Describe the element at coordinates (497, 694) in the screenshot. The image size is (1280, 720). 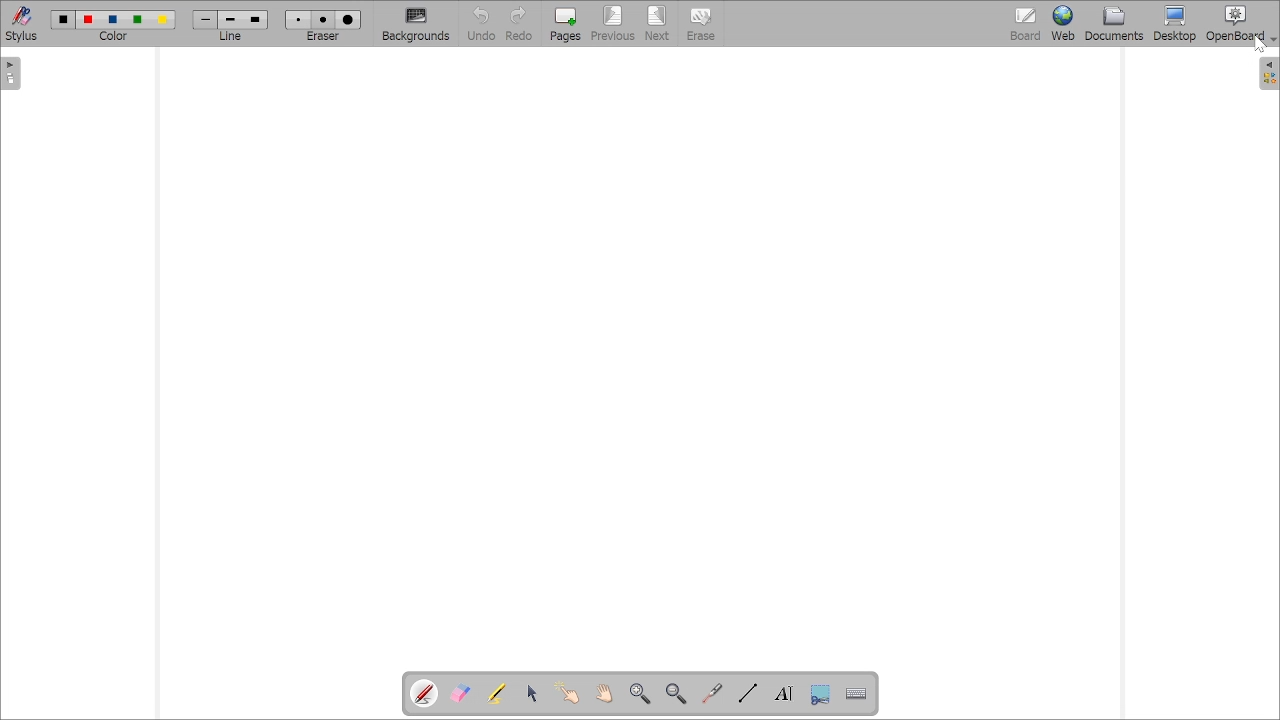
I see `Highlight` at that location.